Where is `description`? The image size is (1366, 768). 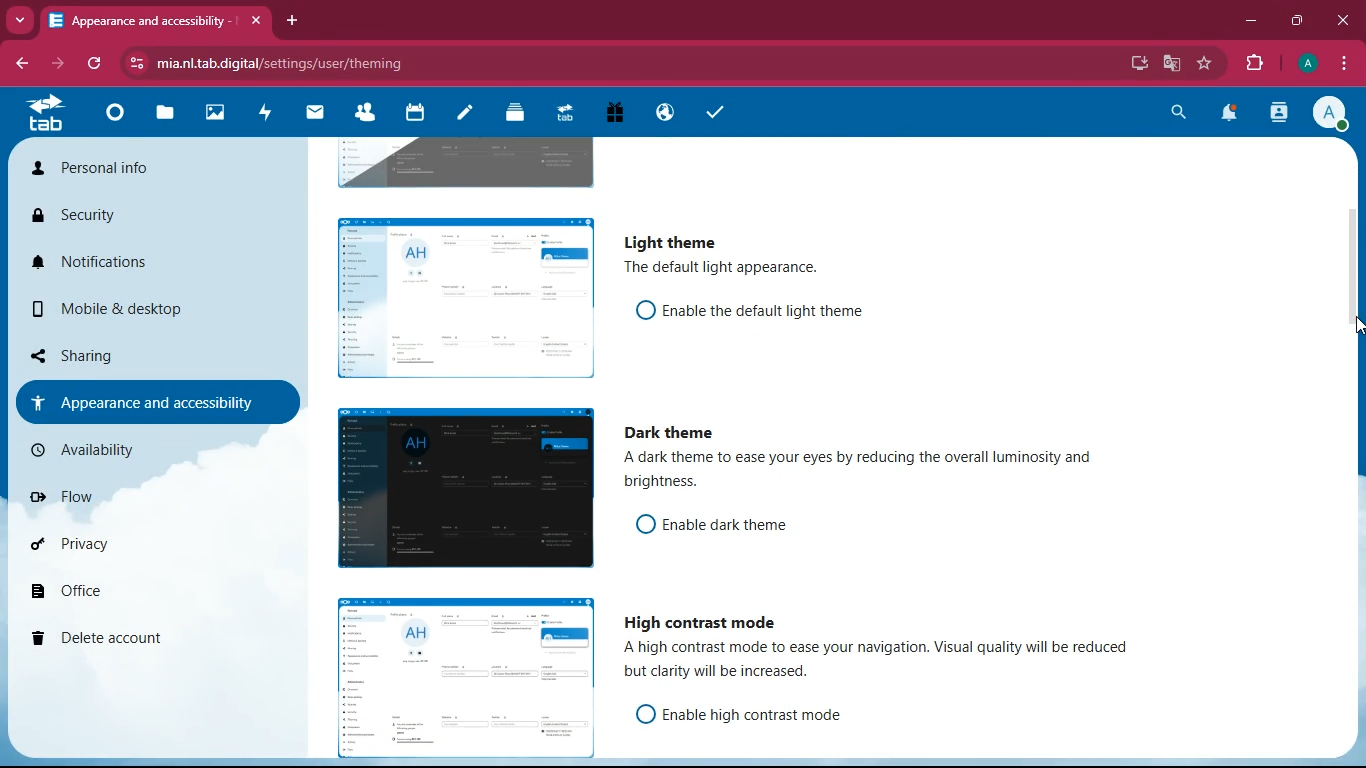
description is located at coordinates (884, 662).